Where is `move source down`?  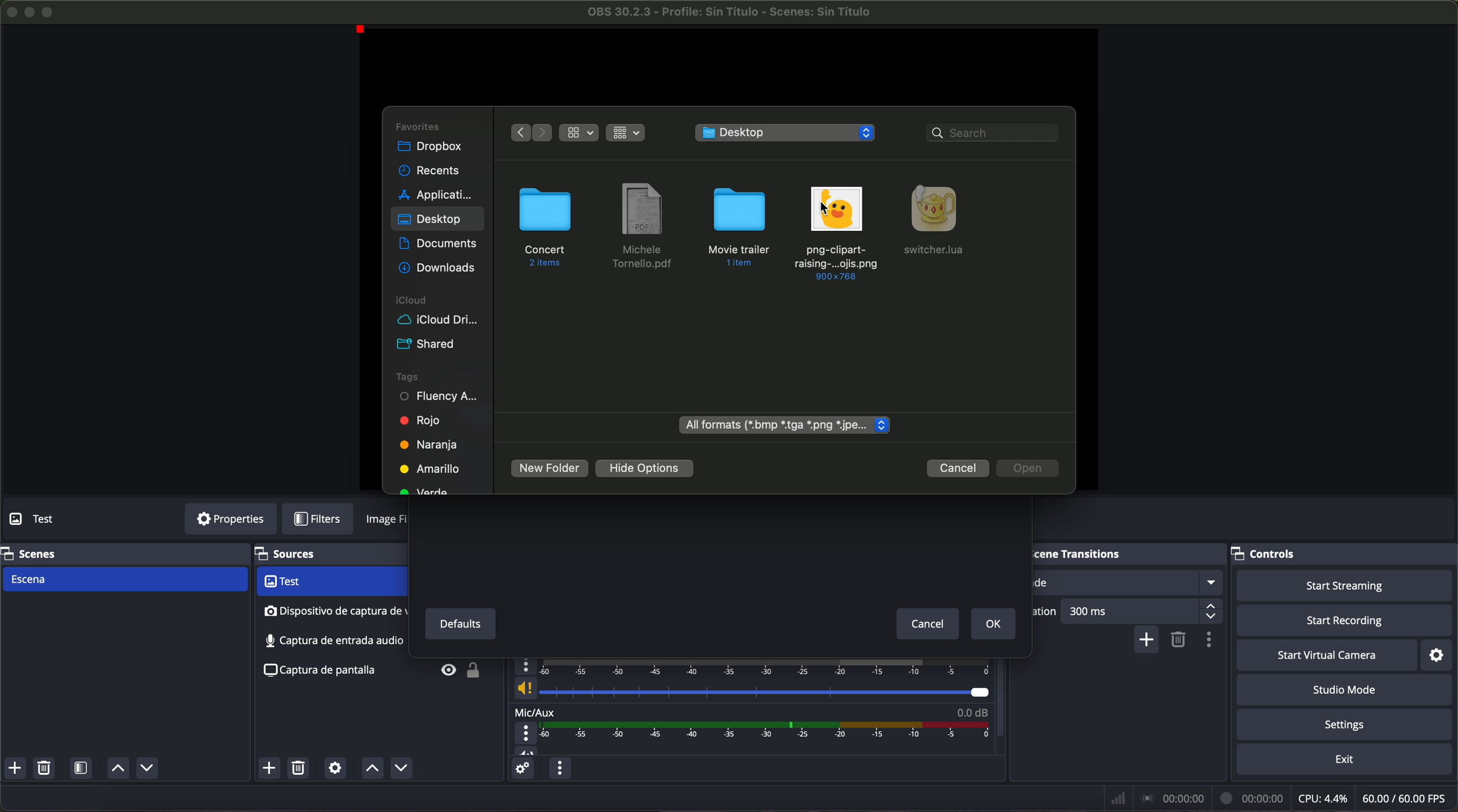
move source down is located at coordinates (398, 769).